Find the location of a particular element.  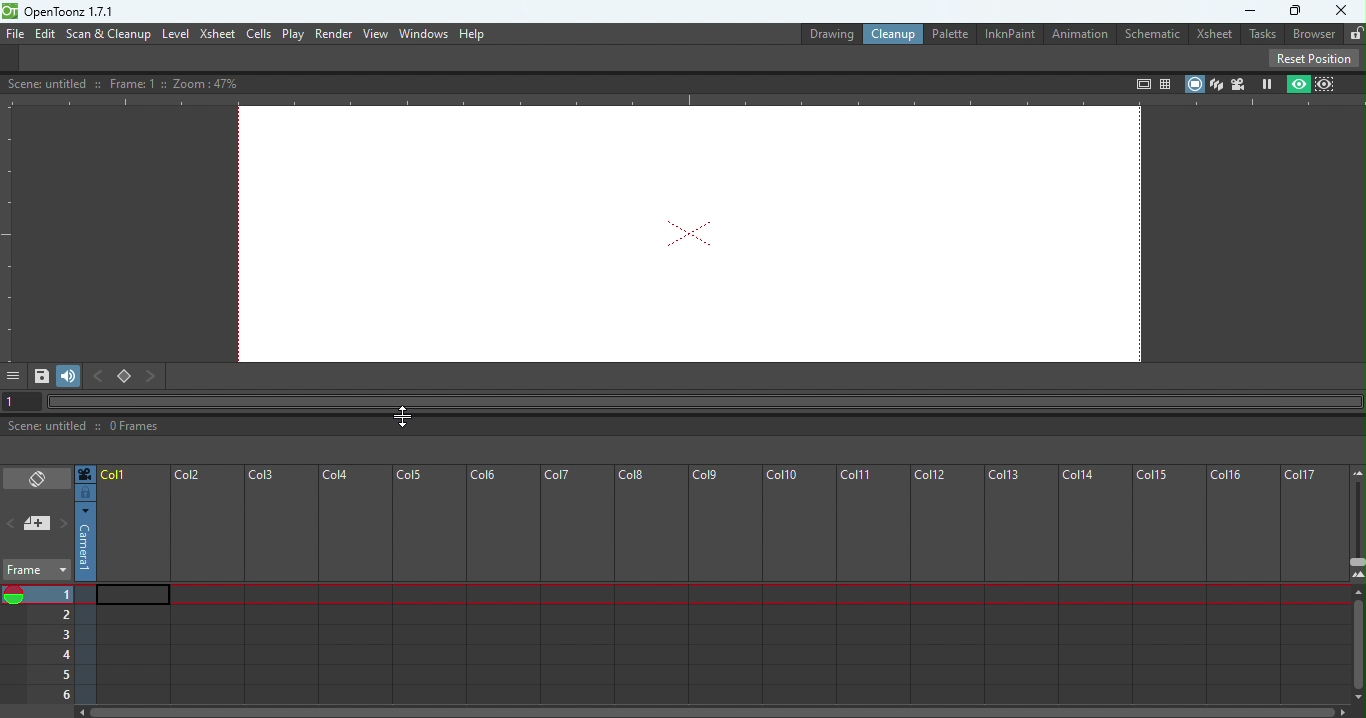

Next key is located at coordinates (159, 375).